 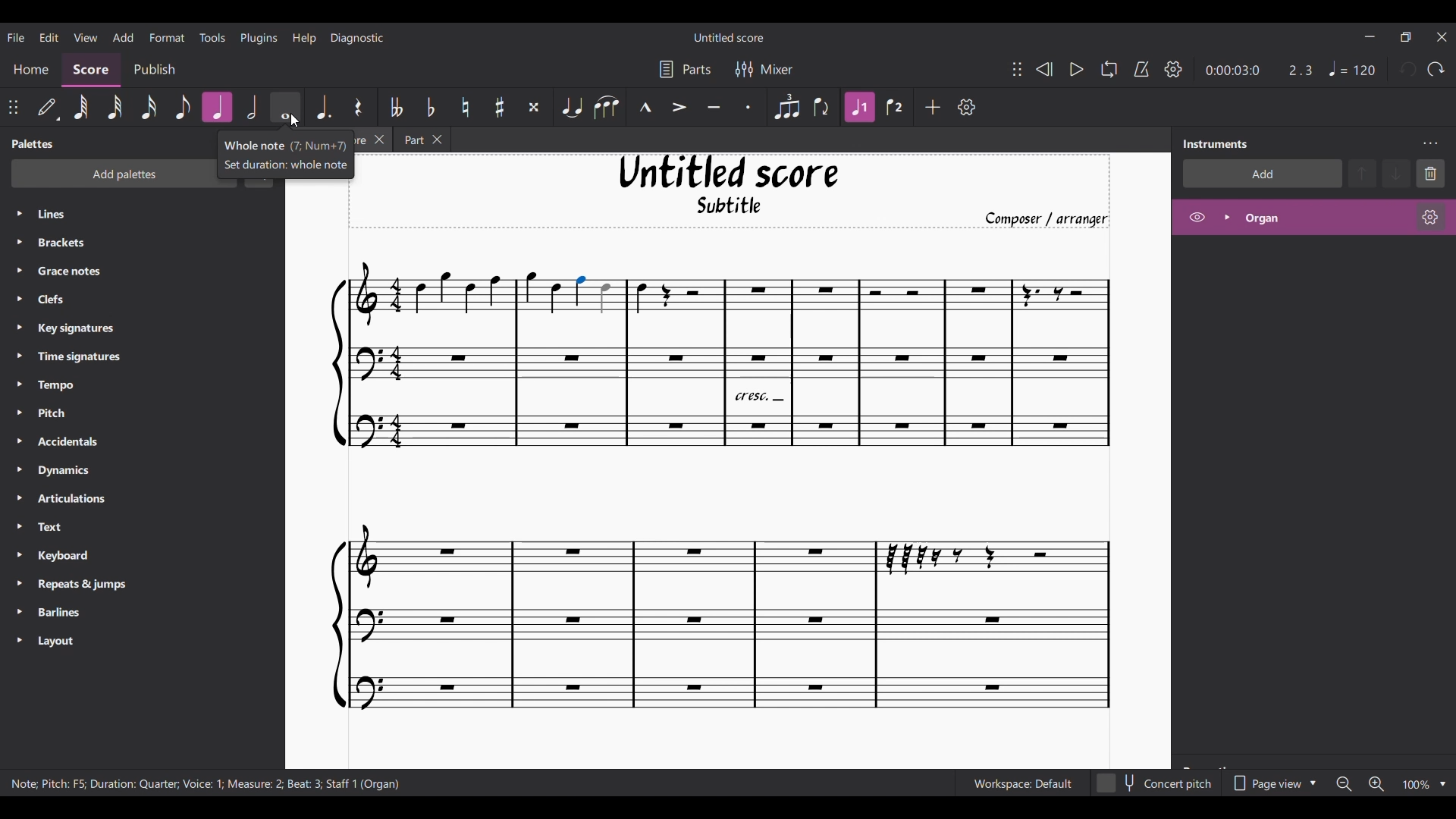 What do you see at coordinates (1416, 785) in the screenshot?
I see `Zoom factor` at bounding box center [1416, 785].